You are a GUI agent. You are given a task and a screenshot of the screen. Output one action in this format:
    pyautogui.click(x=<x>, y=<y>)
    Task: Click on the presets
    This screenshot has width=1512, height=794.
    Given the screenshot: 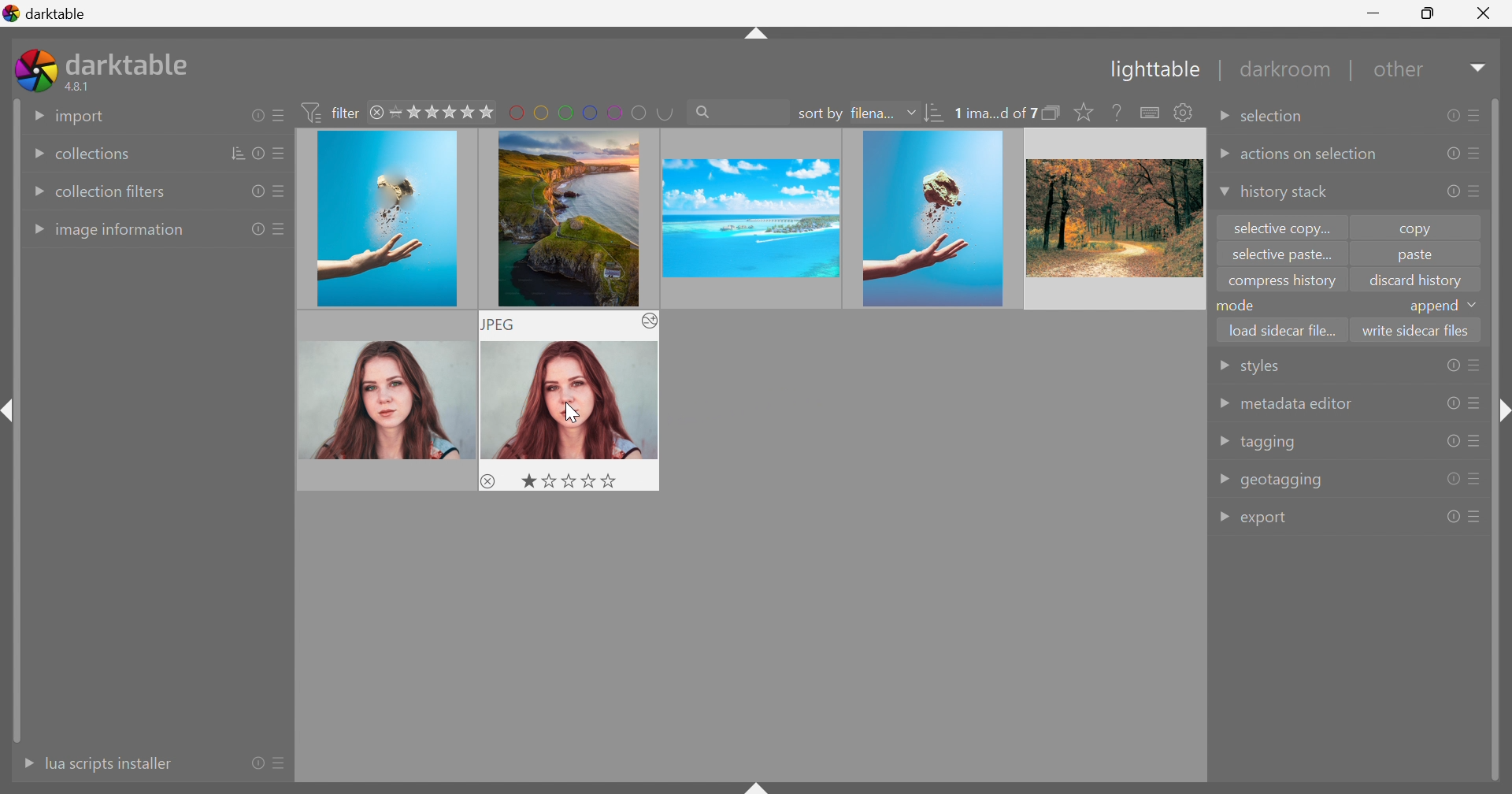 What is the action you would take?
    pyautogui.click(x=1476, y=441)
    